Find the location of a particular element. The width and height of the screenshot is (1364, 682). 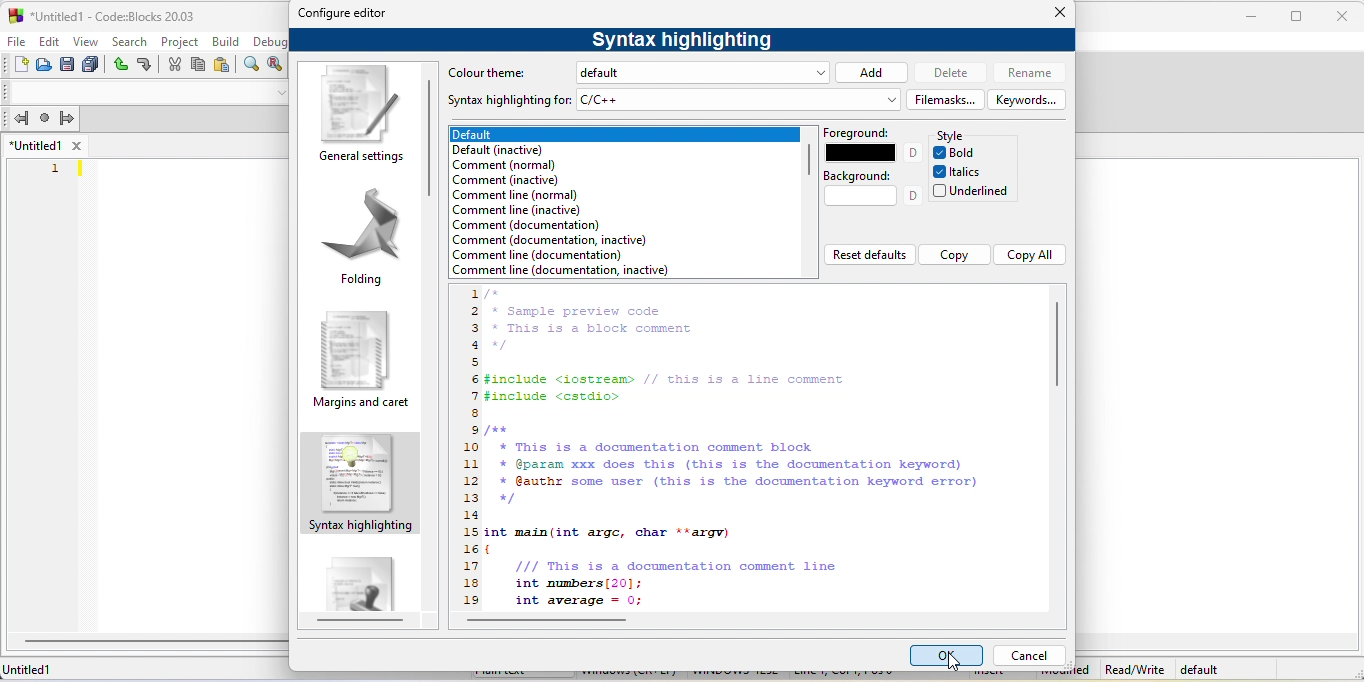

close is located at coordinates (1341, 17).